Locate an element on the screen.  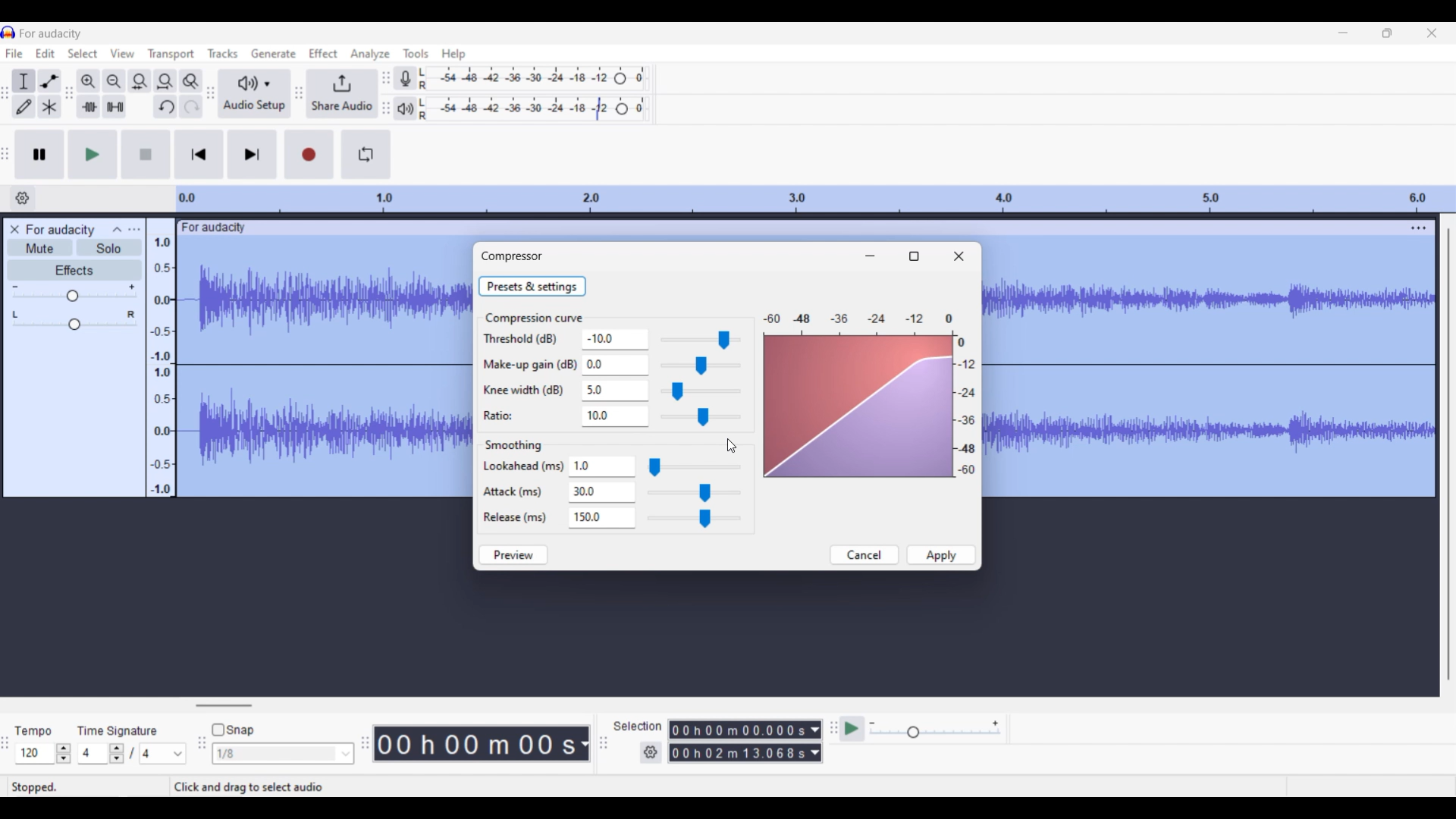
Horizontal slide bar is located at coordinates (224, 705).